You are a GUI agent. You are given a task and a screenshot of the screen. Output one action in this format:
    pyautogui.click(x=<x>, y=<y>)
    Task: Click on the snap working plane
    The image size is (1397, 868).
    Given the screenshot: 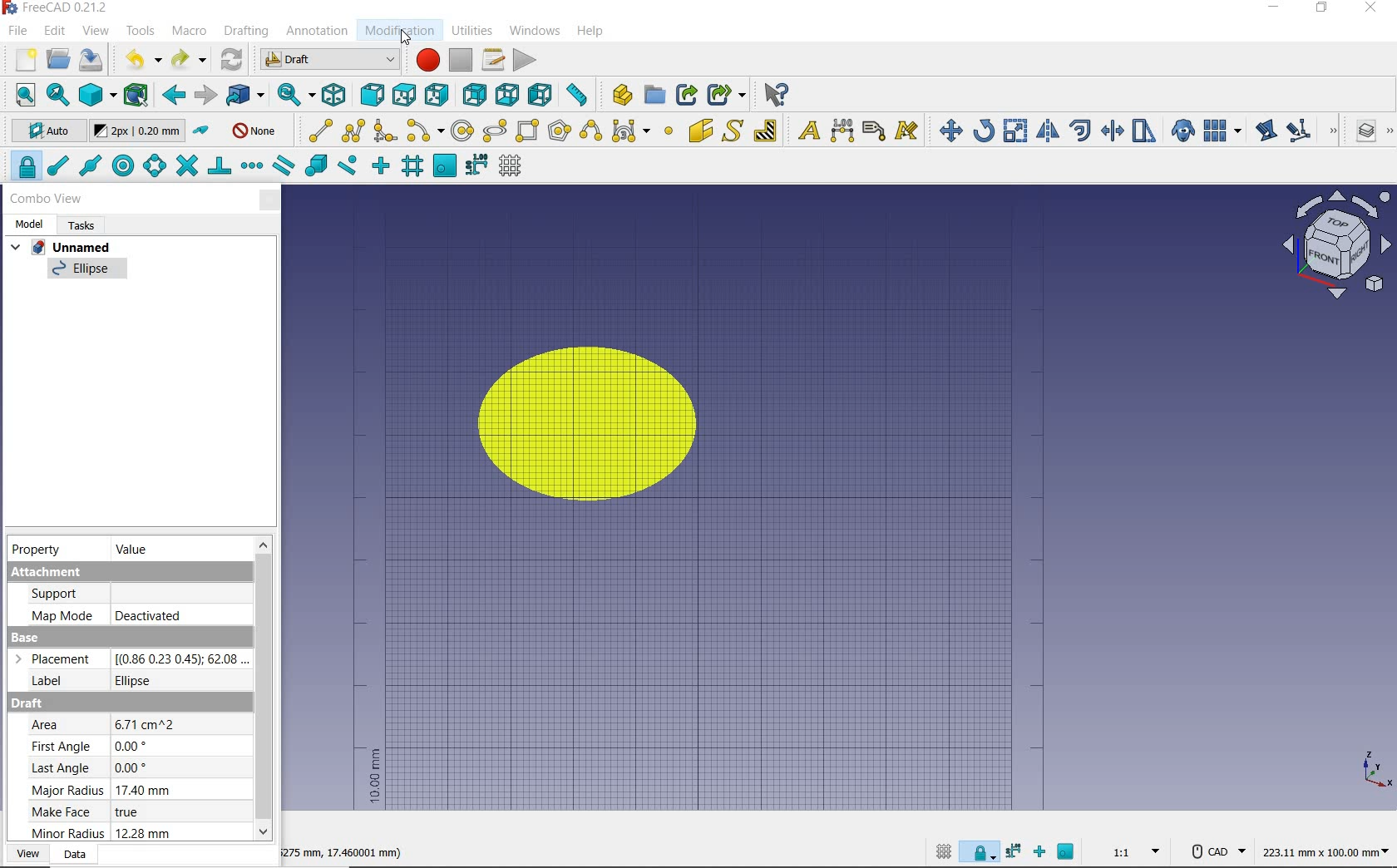 What is the action you would take?
    pyautogui.click(x=443, y=167)
    